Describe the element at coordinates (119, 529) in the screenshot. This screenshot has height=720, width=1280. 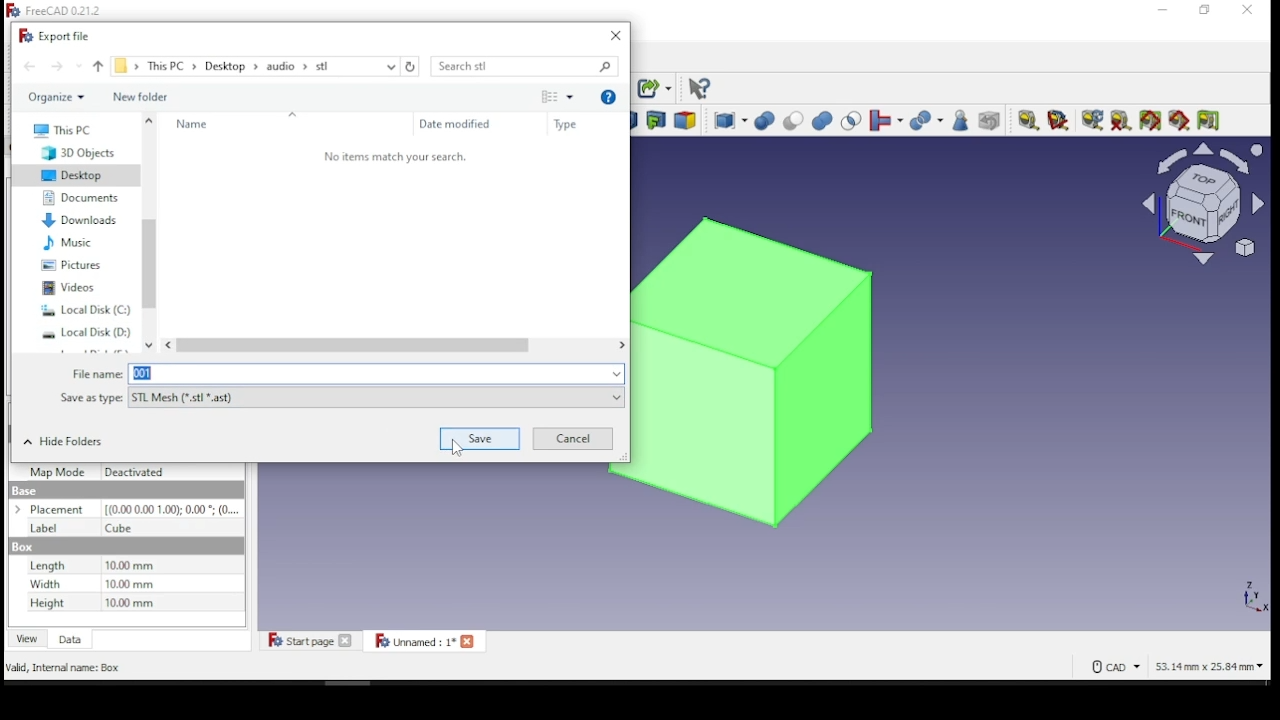
I see `Cube` at that location.